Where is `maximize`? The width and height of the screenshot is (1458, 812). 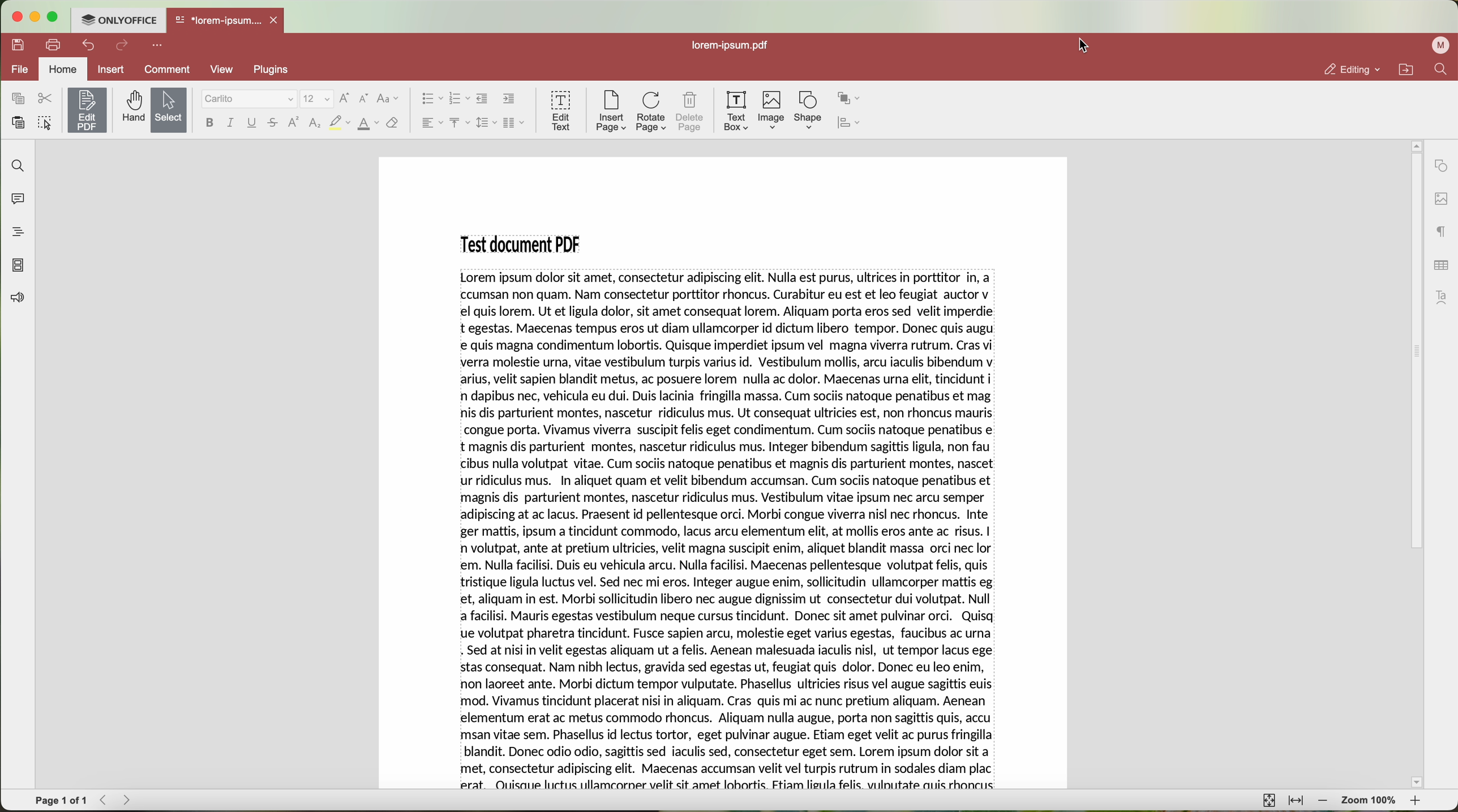
maximize is located at coordinates (58, 16).